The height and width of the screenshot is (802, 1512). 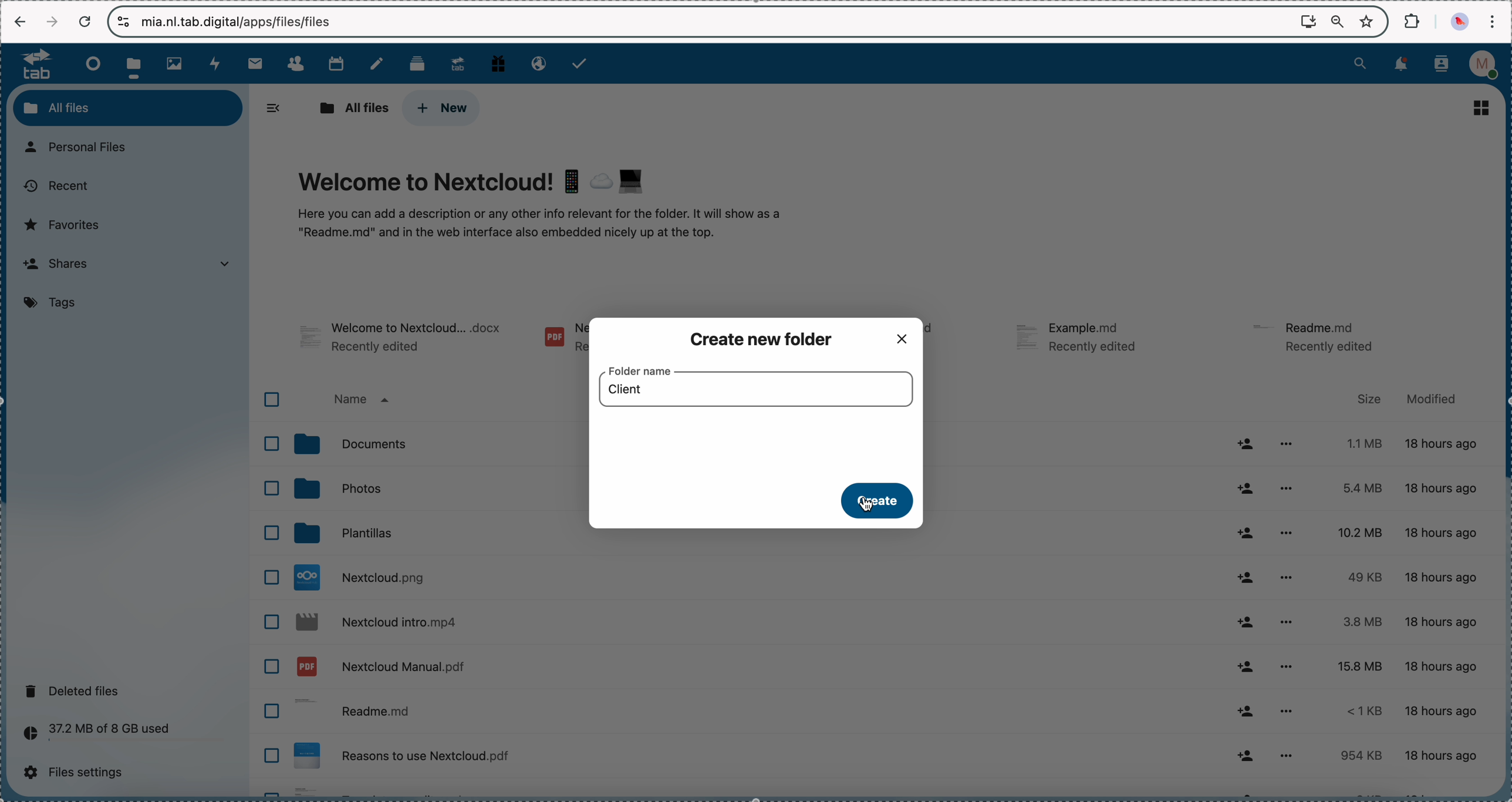 What do you see at coordinates (1247, 489) in the screenshot?
I see `share` at bounding box center [1247, 489].